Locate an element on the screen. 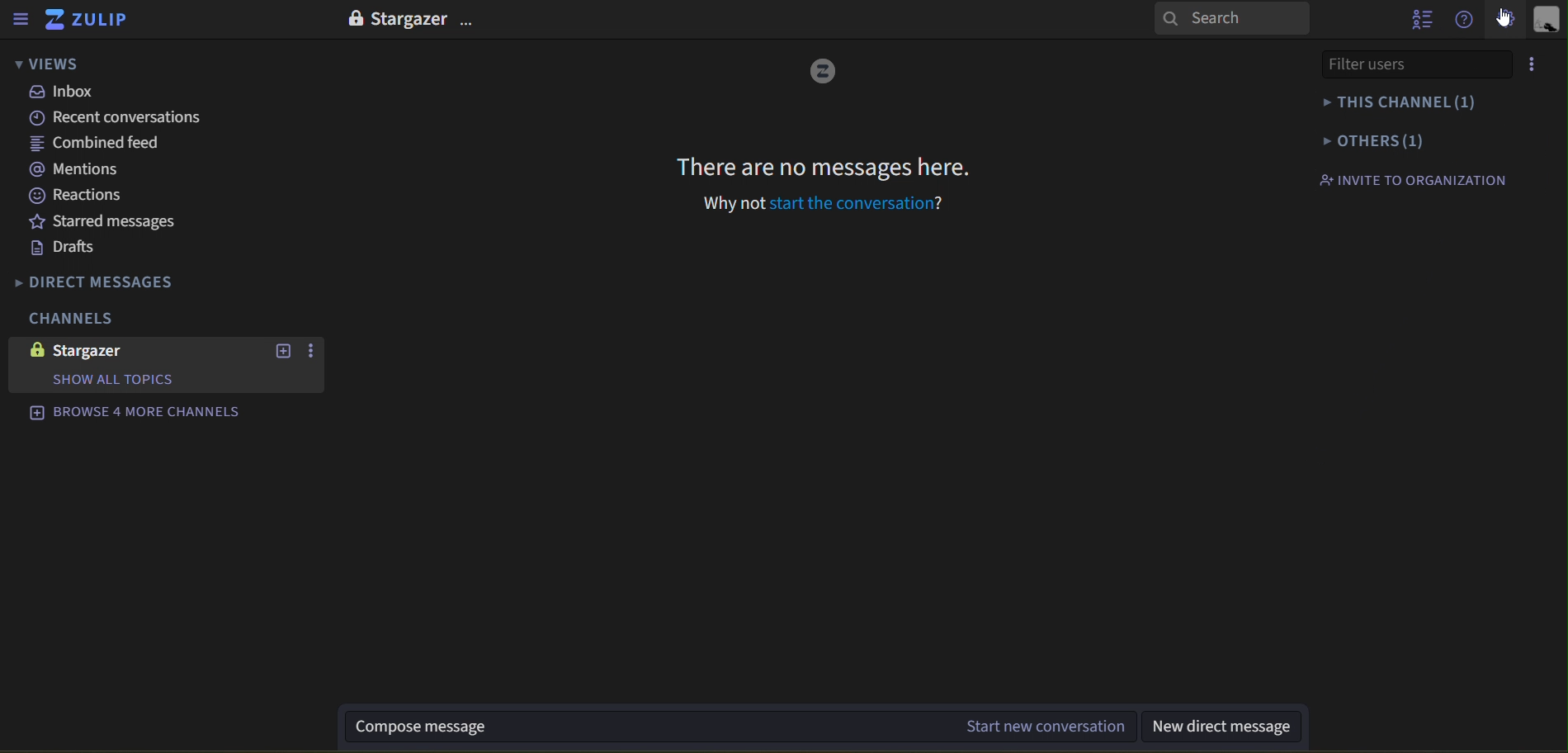 The width and height of the screenshot is (1568, 753). reactions is located at coordinates (86, 197).